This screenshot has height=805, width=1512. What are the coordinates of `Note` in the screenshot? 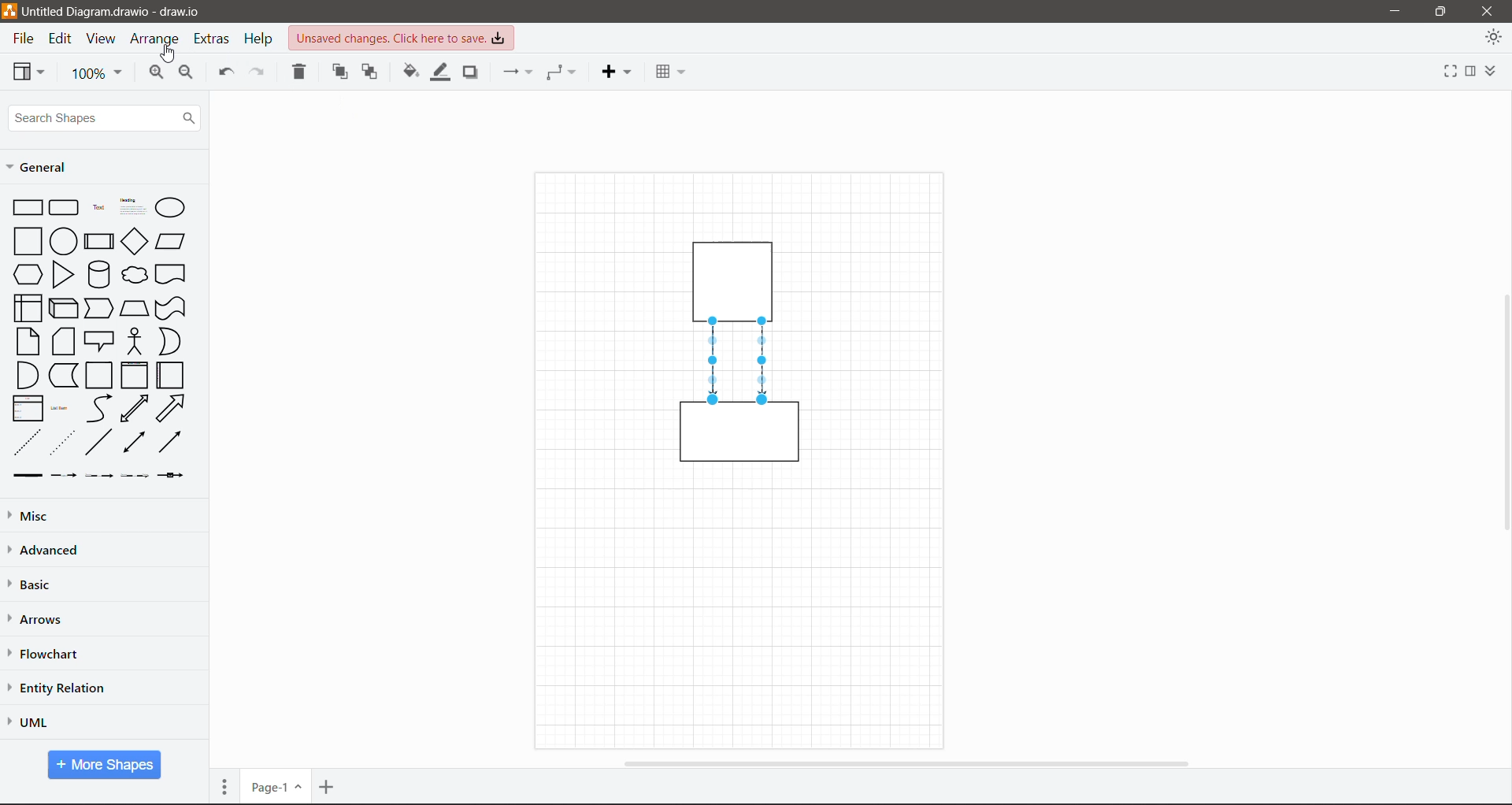 It's located at (28, 340).